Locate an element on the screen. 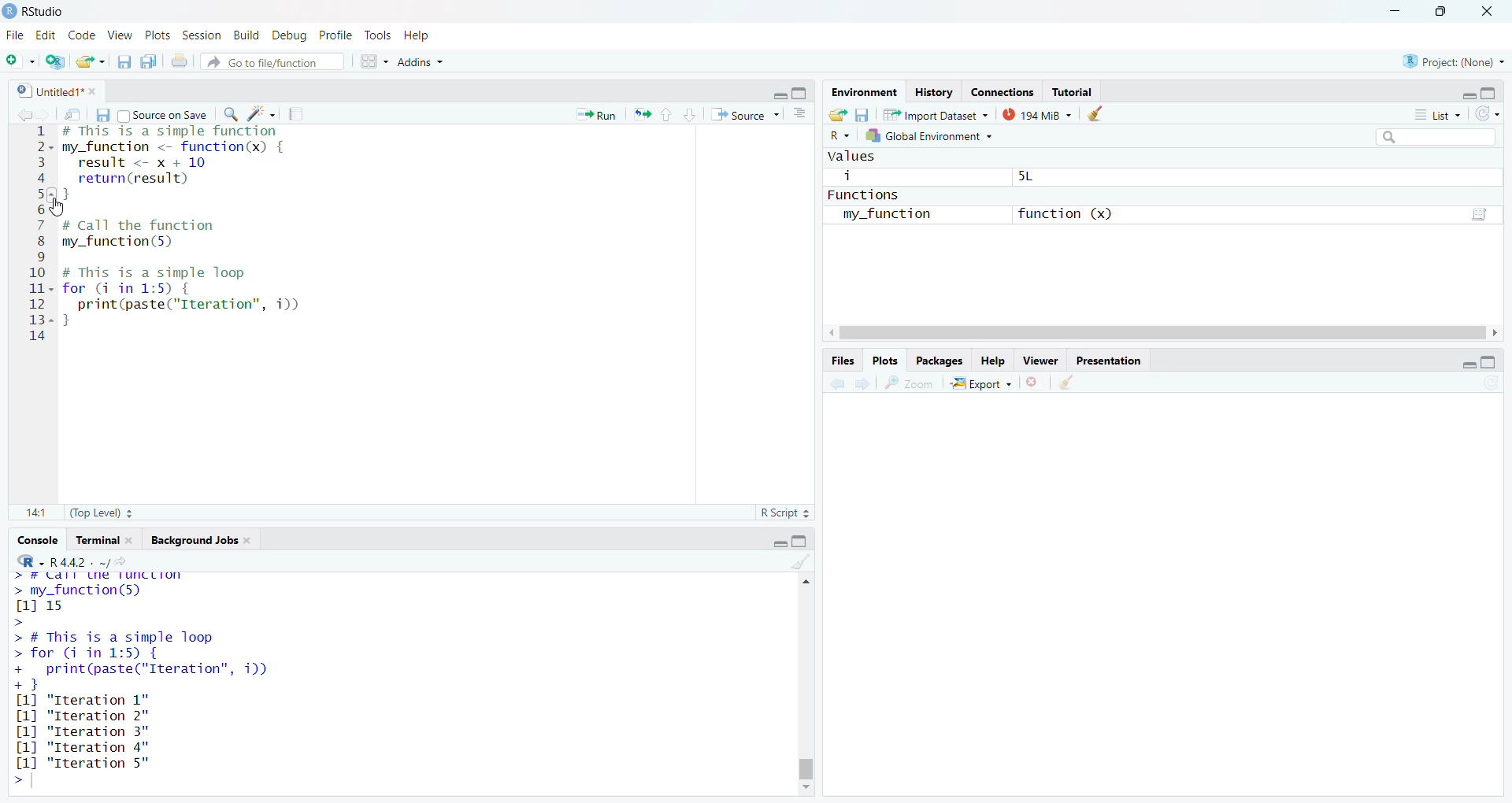 This screenshot has height=803, width=1512. import dataset is located at coordinates (936, 117).